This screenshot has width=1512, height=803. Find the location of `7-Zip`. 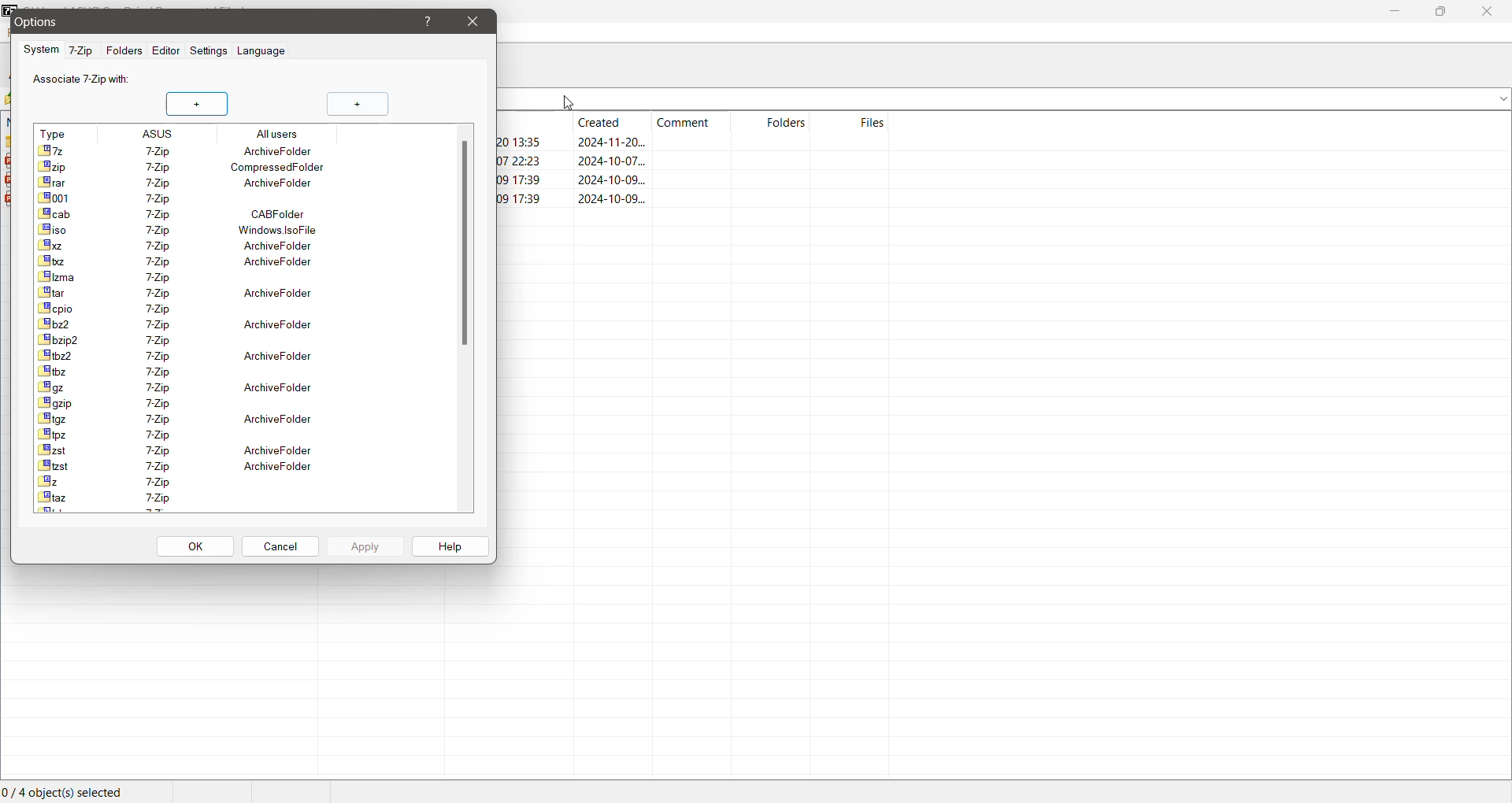

7-Zip is located at coordinates (82, 50).